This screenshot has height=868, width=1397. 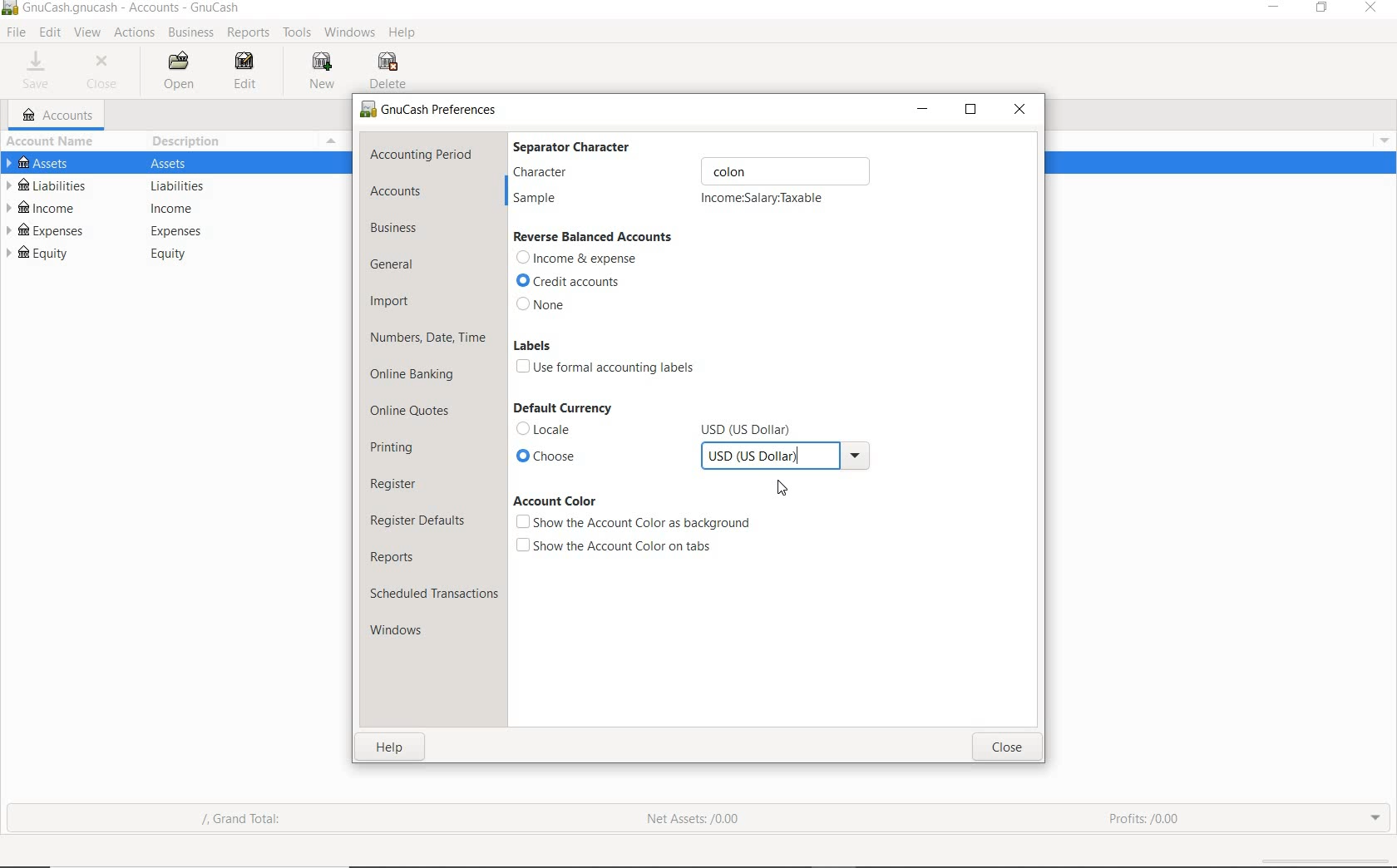 What do you see at coordinates (323, 72) in the screenshot?
I see `NEW` at bounding box center [323, 72].